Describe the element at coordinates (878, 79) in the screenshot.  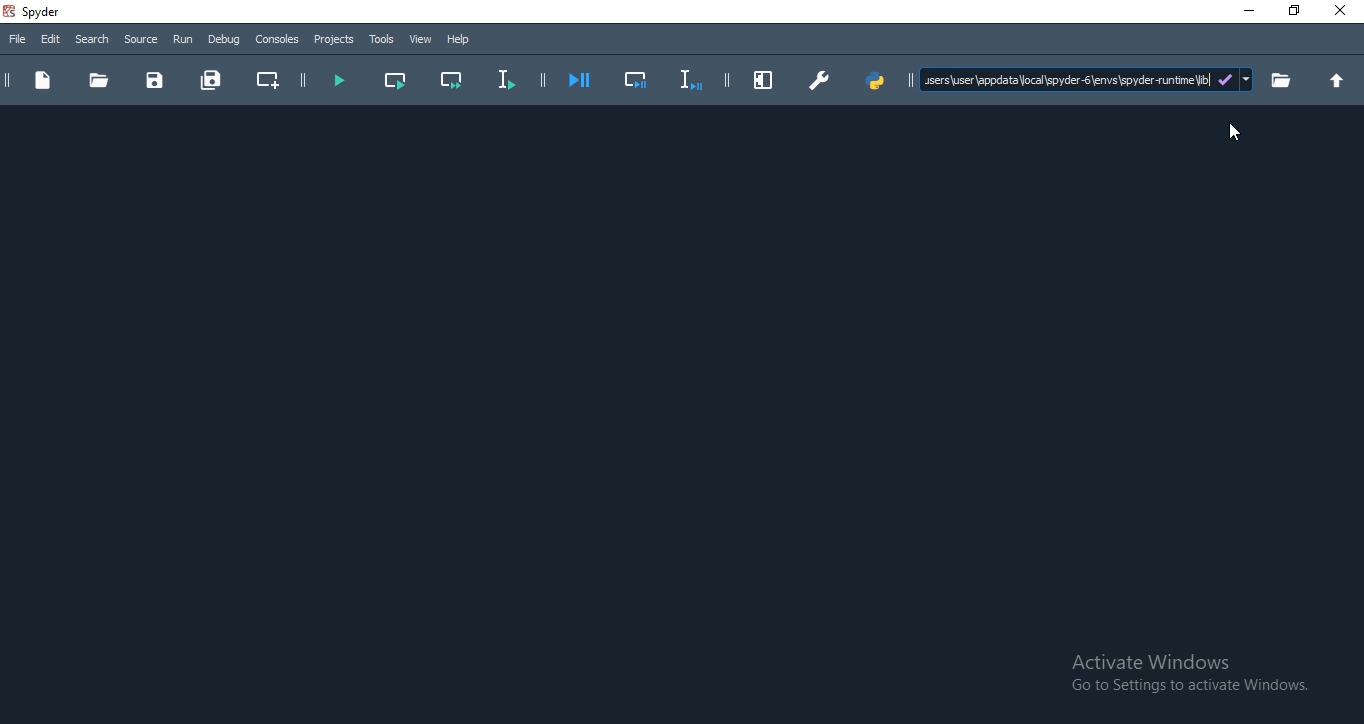
I see `pythonpath manager` at that location.